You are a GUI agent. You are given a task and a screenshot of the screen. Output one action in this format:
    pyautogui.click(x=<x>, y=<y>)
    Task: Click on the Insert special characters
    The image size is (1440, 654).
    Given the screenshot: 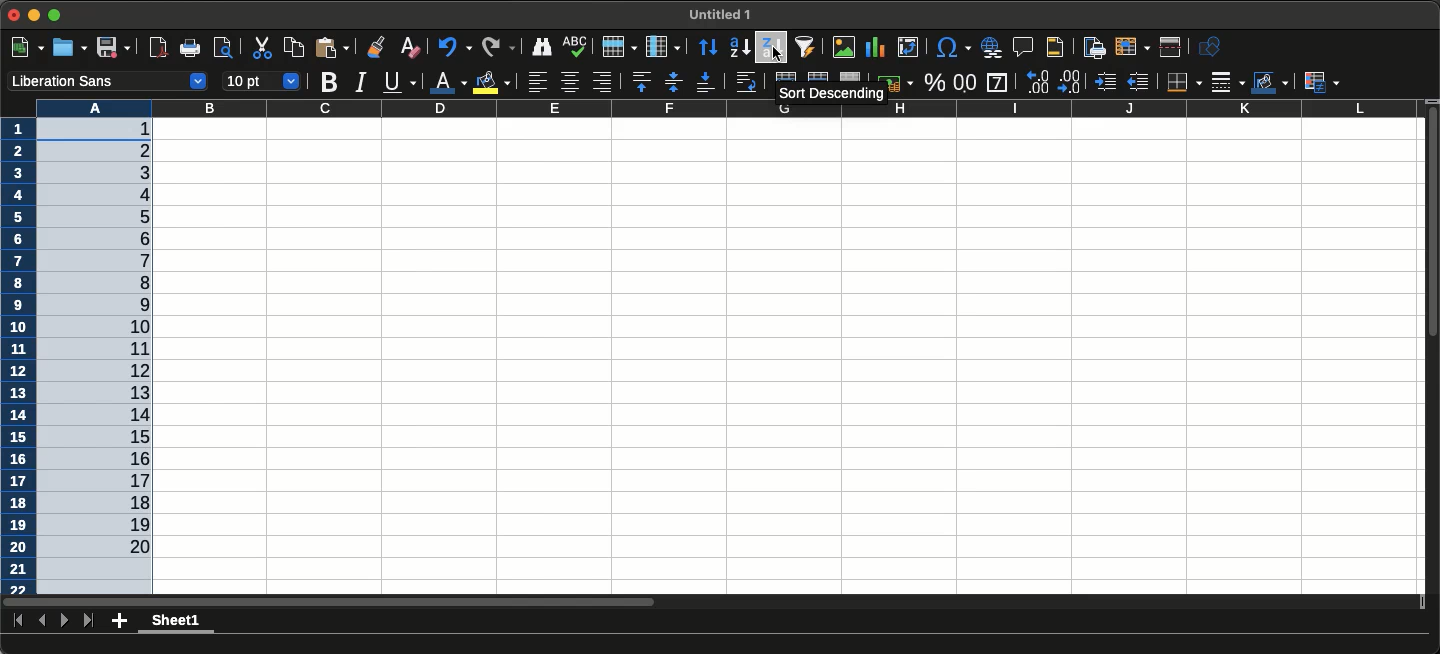 What is the action you would take?
    pyautogui.click(x=952, y=47)
    